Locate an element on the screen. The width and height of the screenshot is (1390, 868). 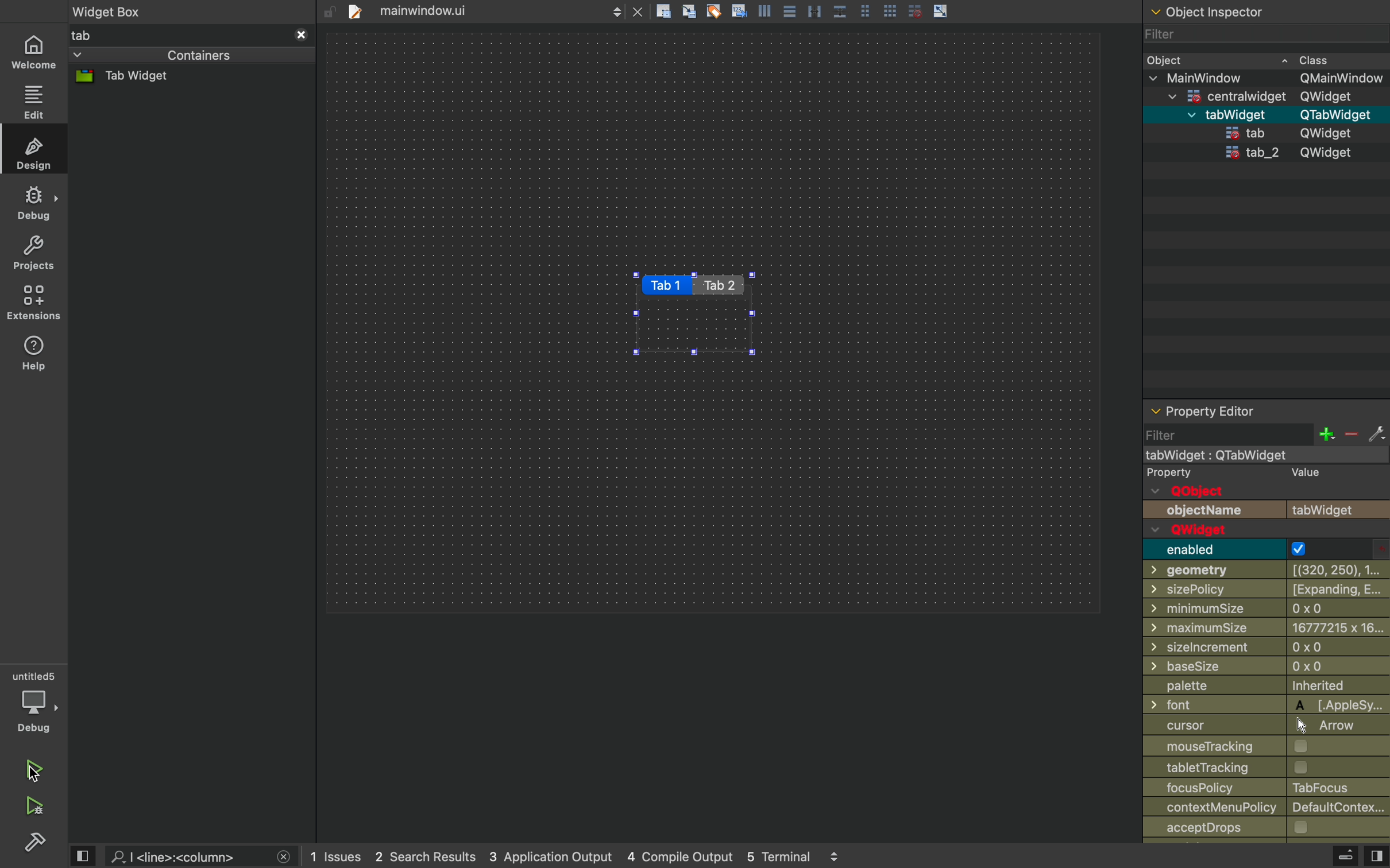
distribute vertically is located at coordinates (841, 11).